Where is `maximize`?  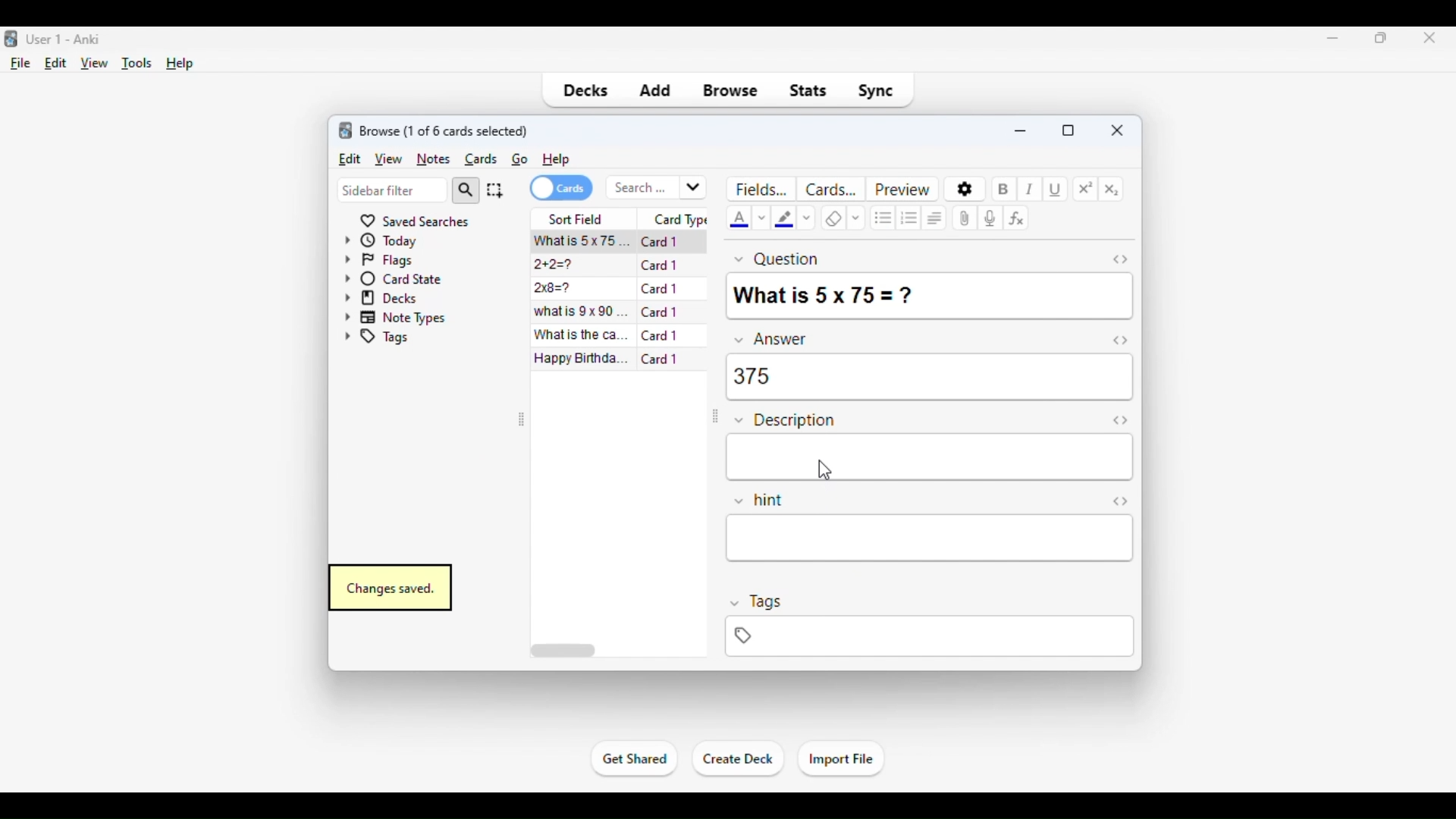
maximize is located at coordinates (1382, 37).